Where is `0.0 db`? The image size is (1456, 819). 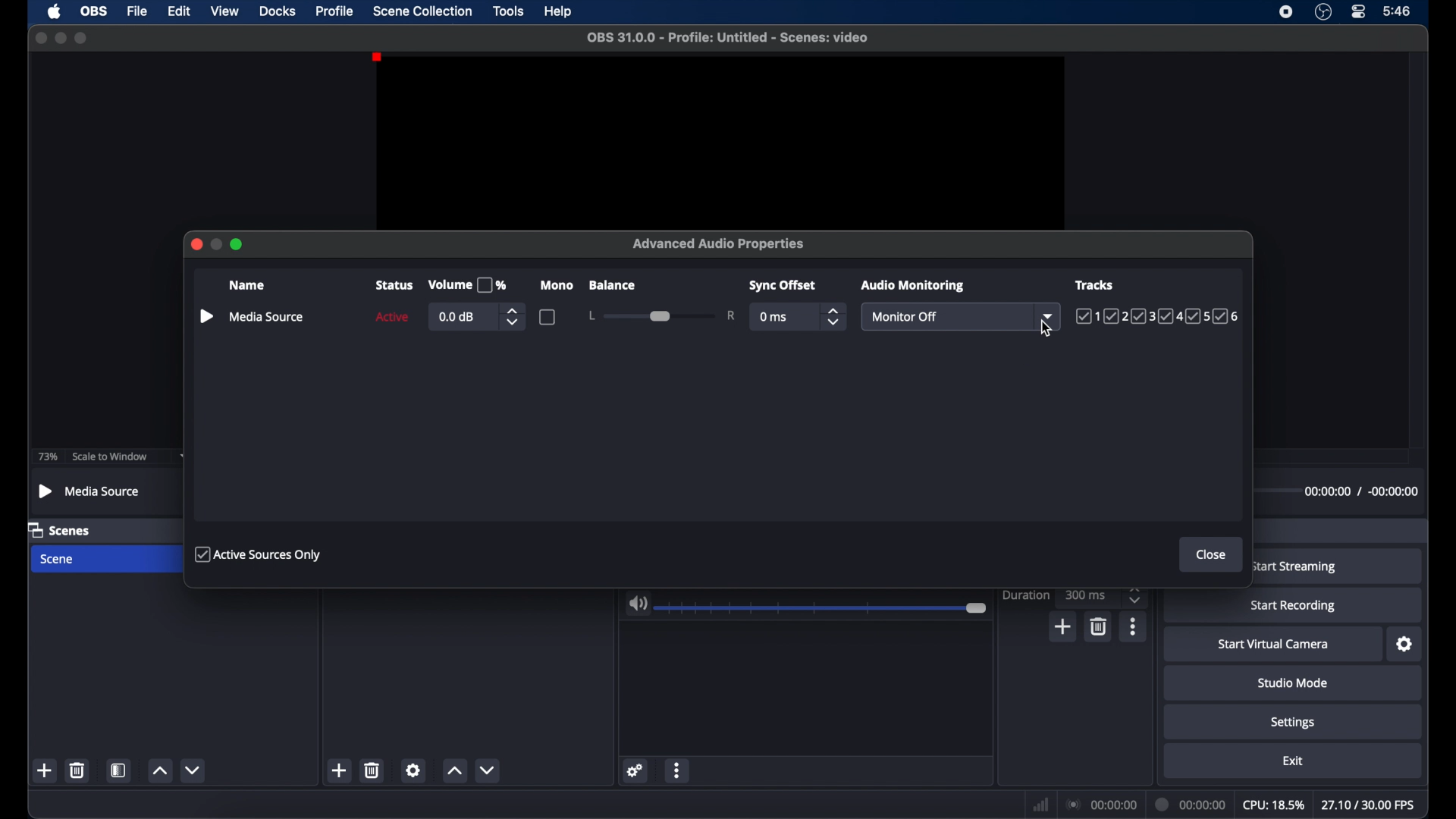 0.0 db is located at coordinates (458, 317).